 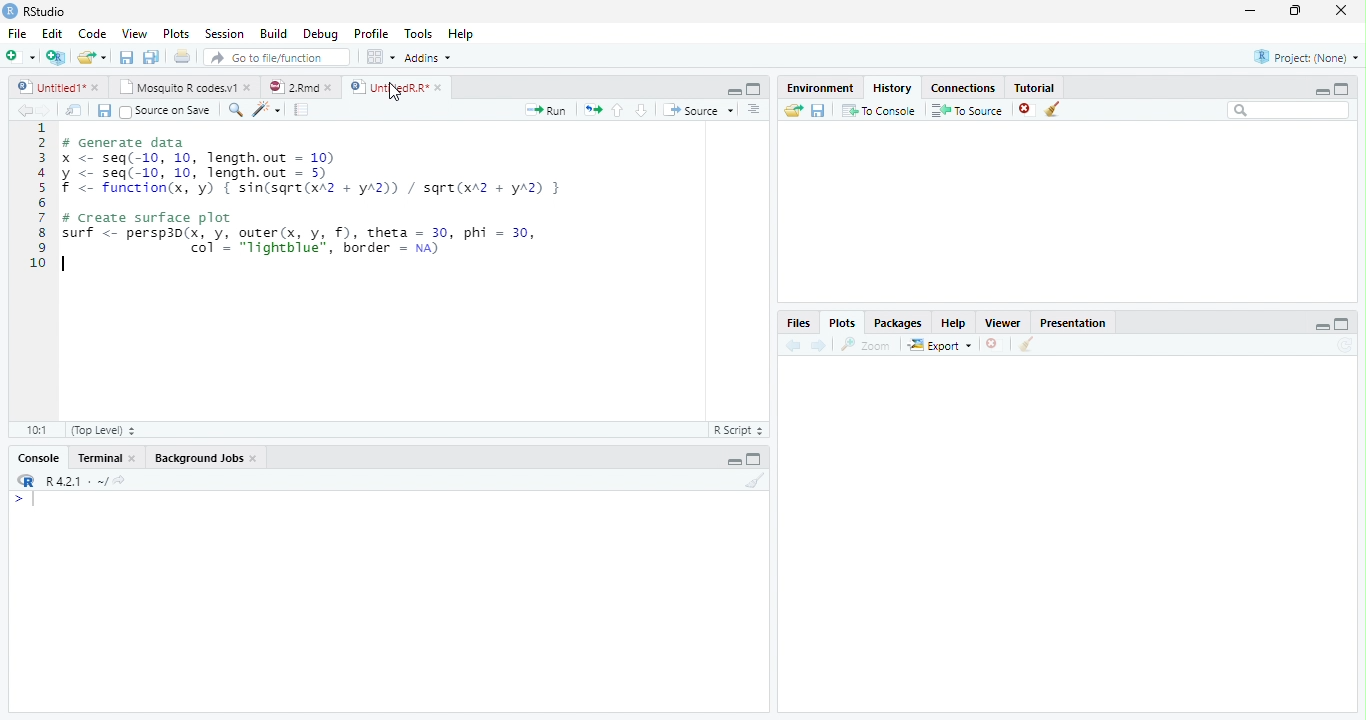 I want to click on close, so click(x=438, y=87).